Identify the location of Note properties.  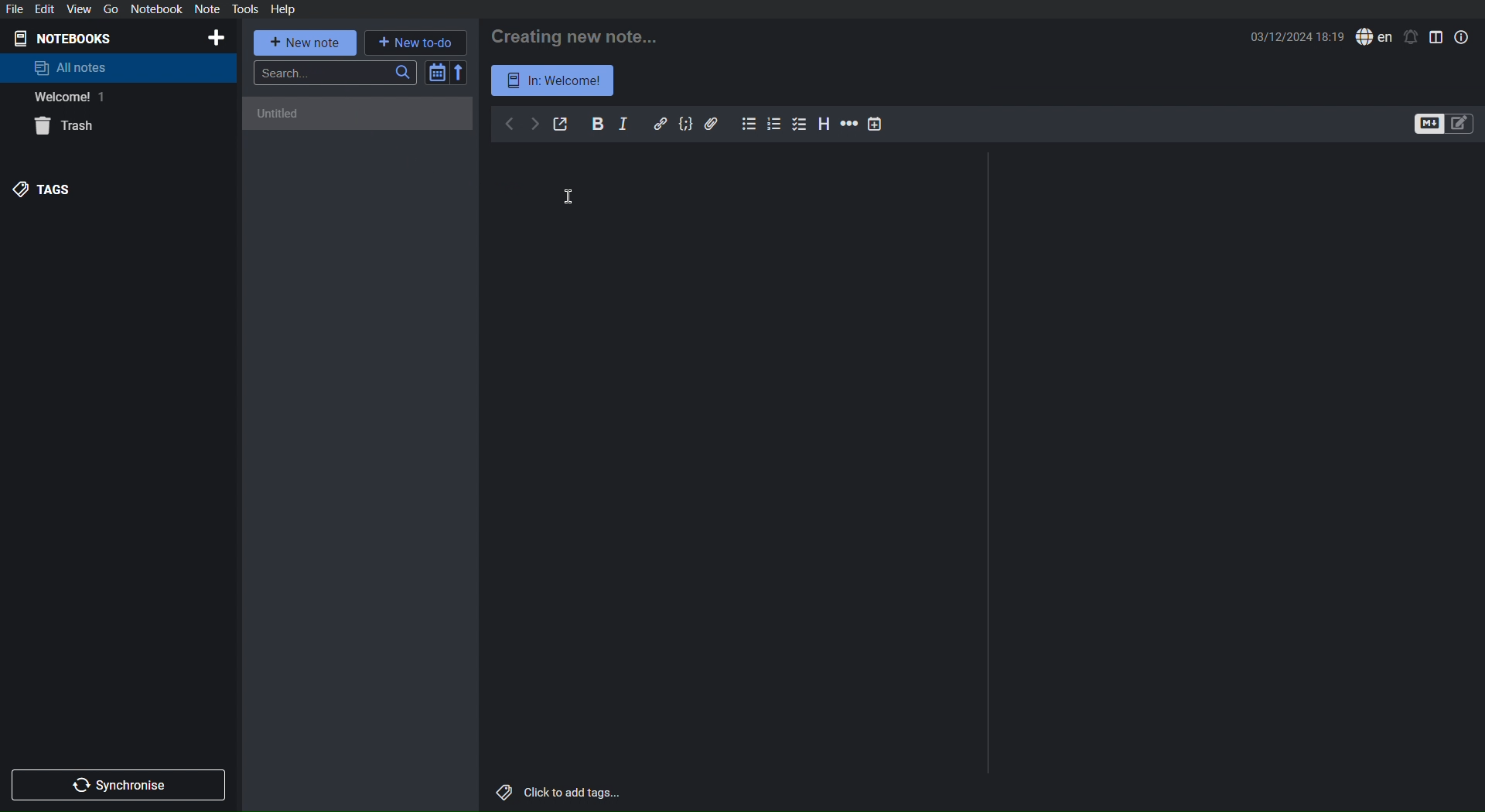
(1461, 36).